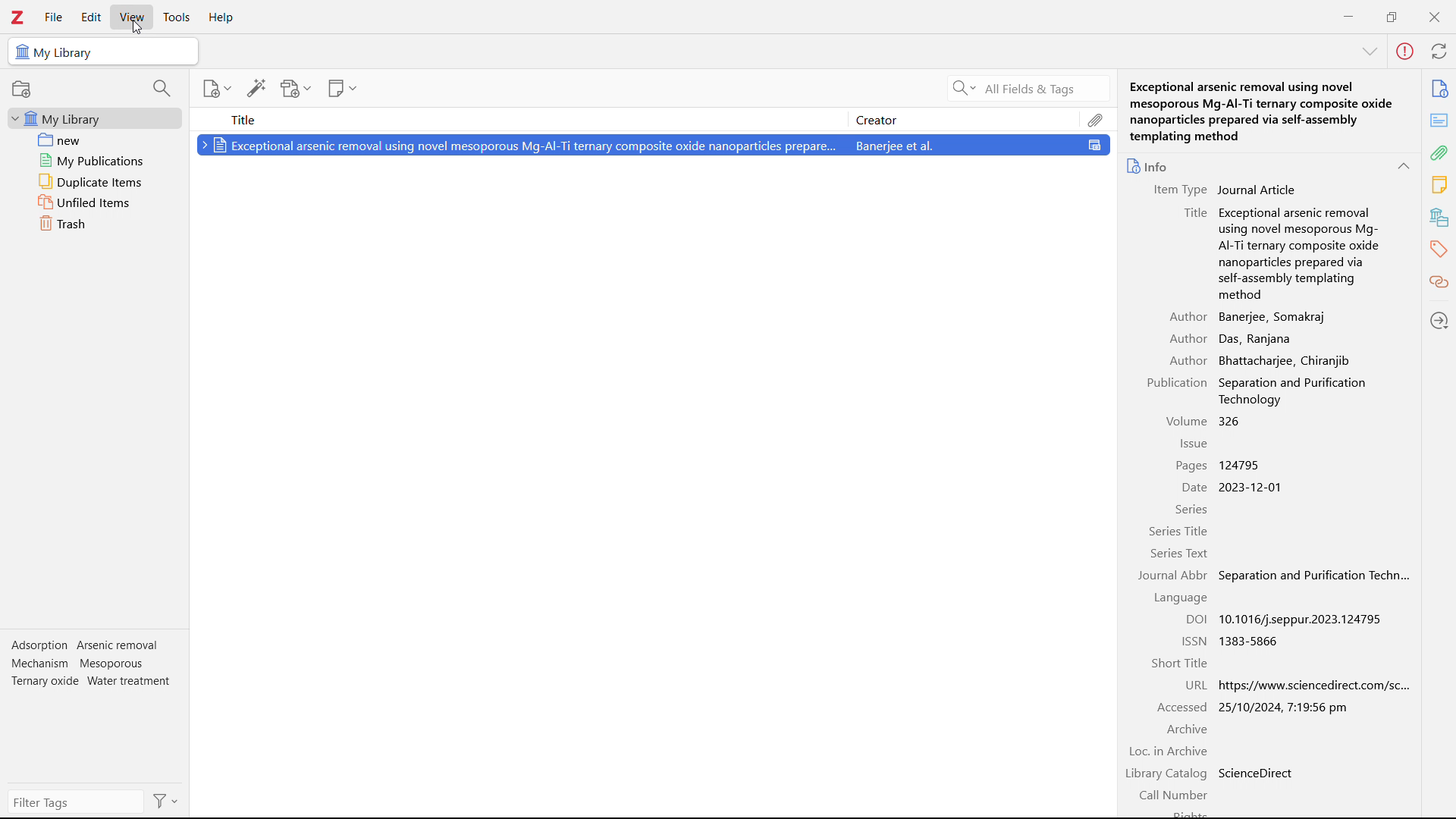 This screenshot has height=819, width=1456. I want to click on new collection, so click(21, 89).